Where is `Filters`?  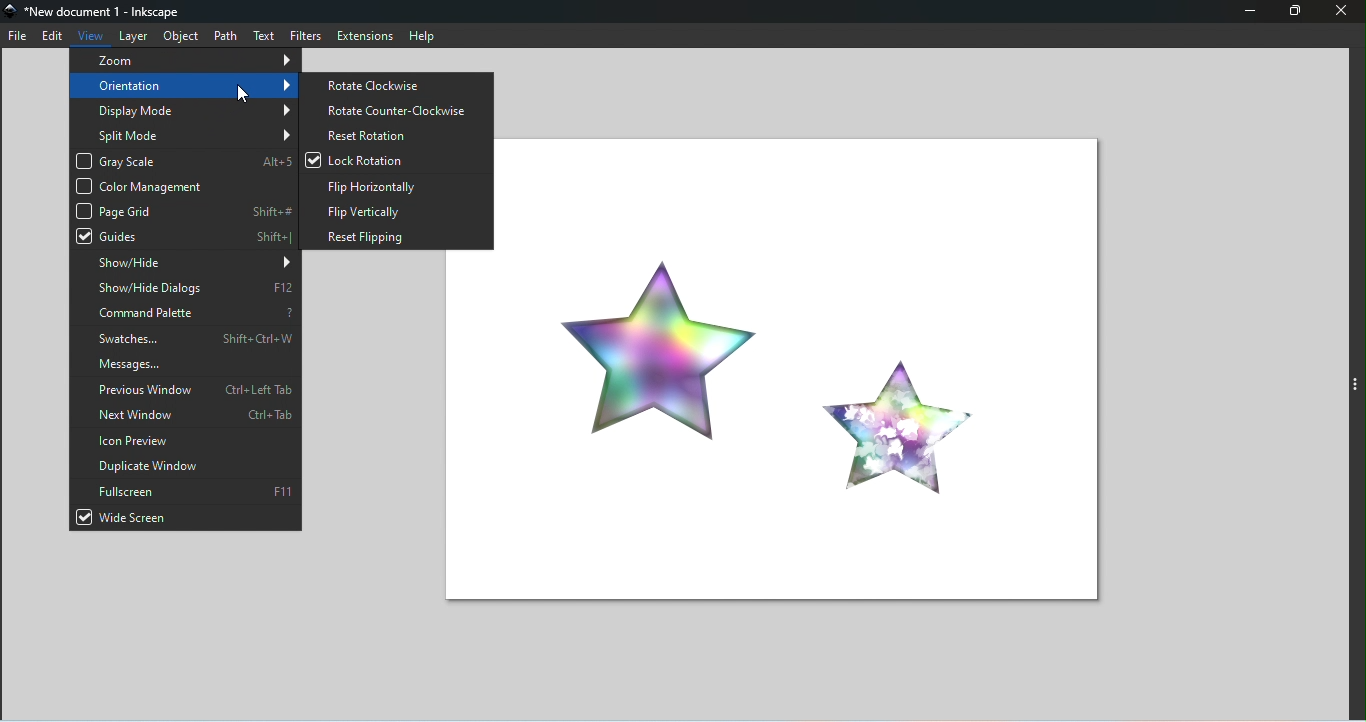 Filters is located at coordinates (301, 35).